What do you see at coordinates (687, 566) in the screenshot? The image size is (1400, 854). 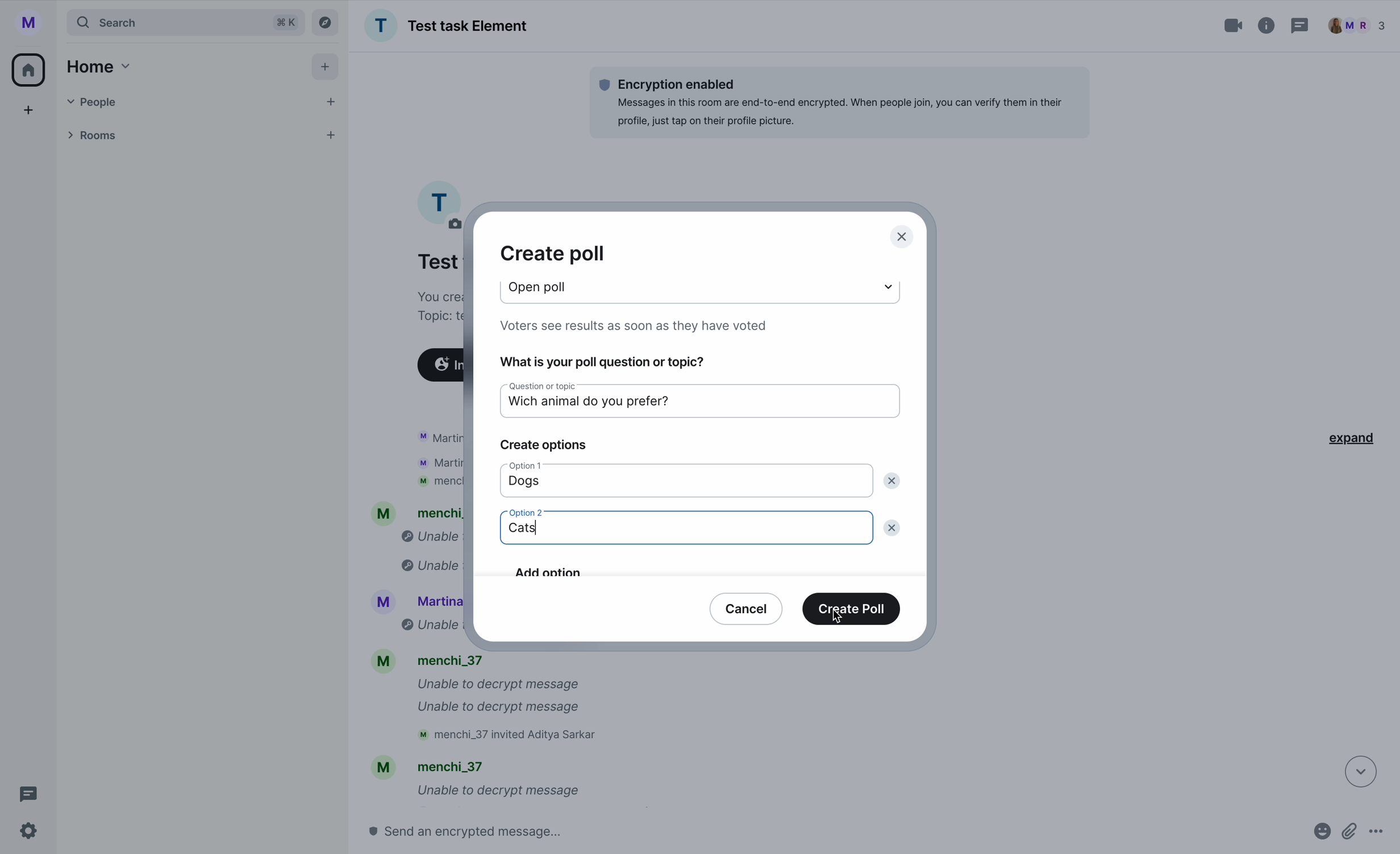 I see `add option` at bounding box center [687, 566].